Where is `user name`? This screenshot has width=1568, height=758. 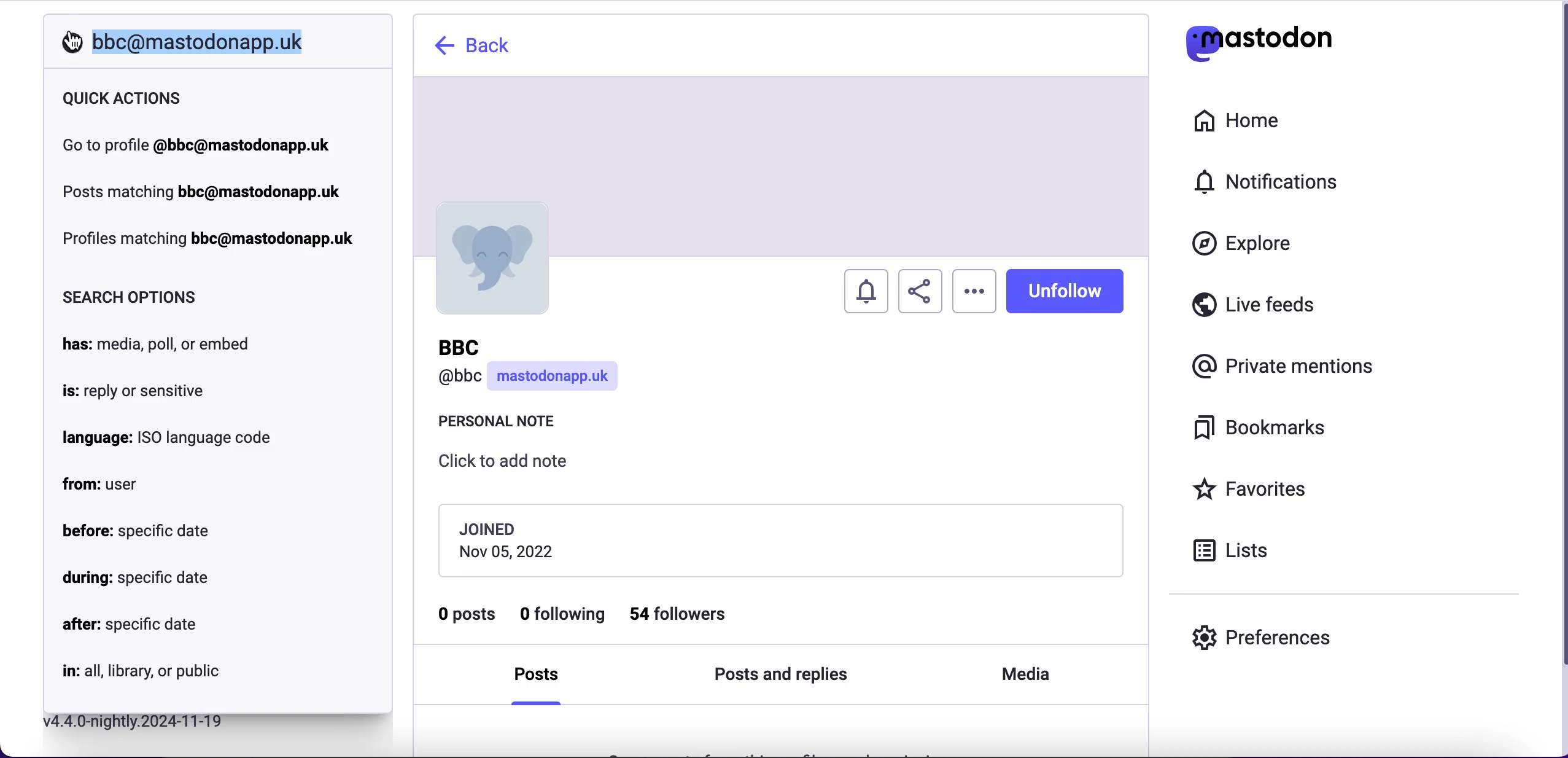
user name is located at coordinates (531, 367).